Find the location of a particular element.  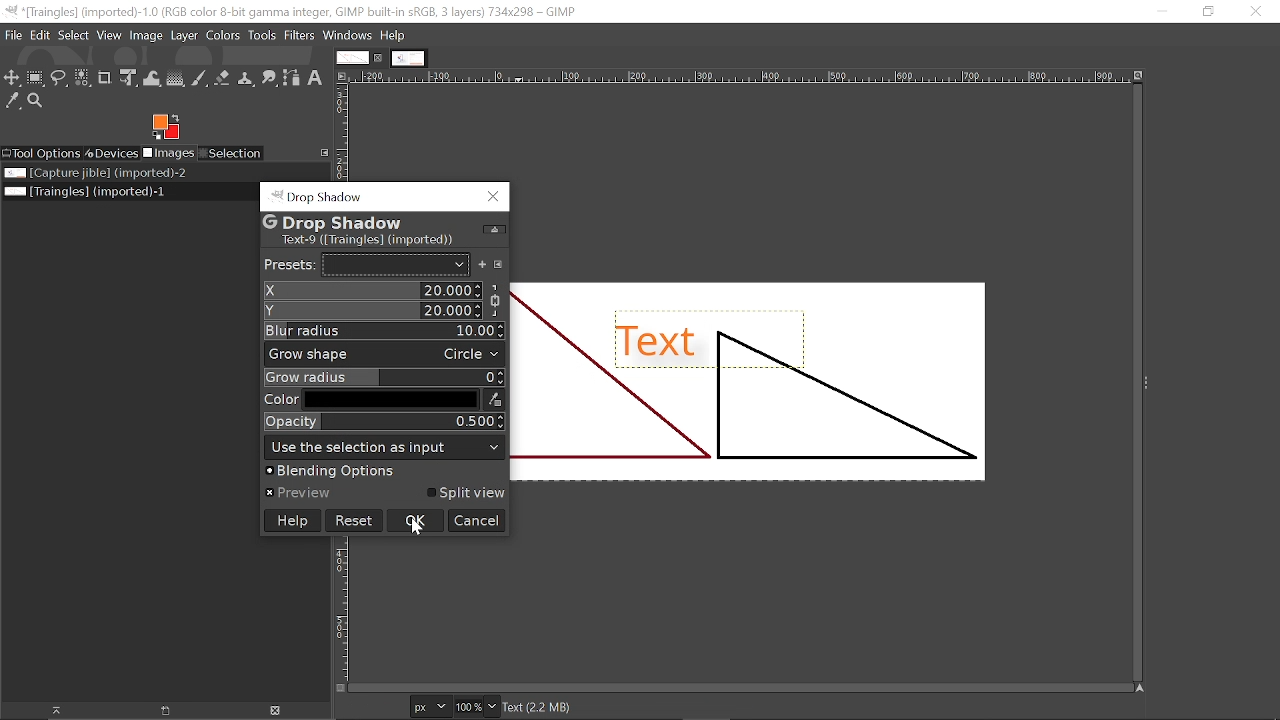

Smudge tool is located at coordinates (270, 80).